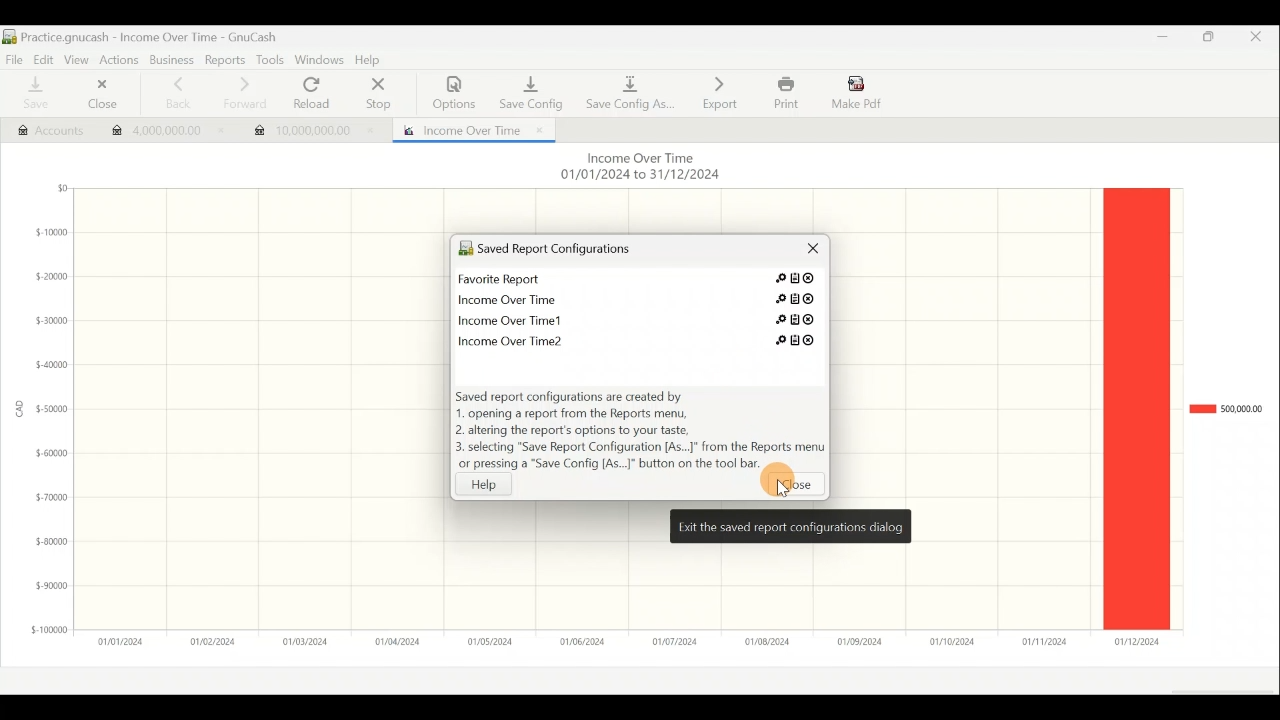 This screenshot has width=1280, height=720. I want to click on Accounts, so click(41, 128).